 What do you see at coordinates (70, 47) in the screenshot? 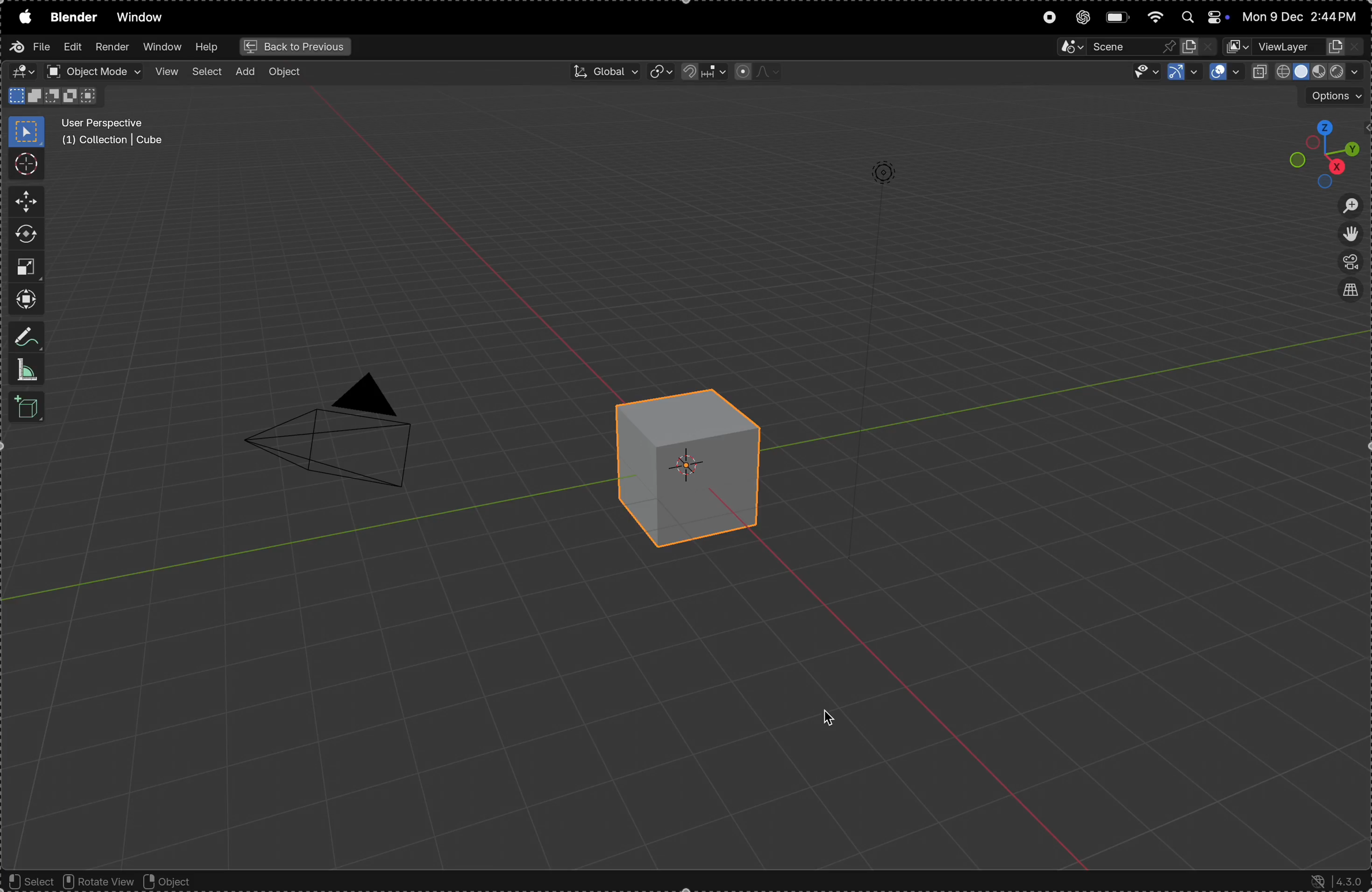
I see `edit` at bounding box center [70, 47].